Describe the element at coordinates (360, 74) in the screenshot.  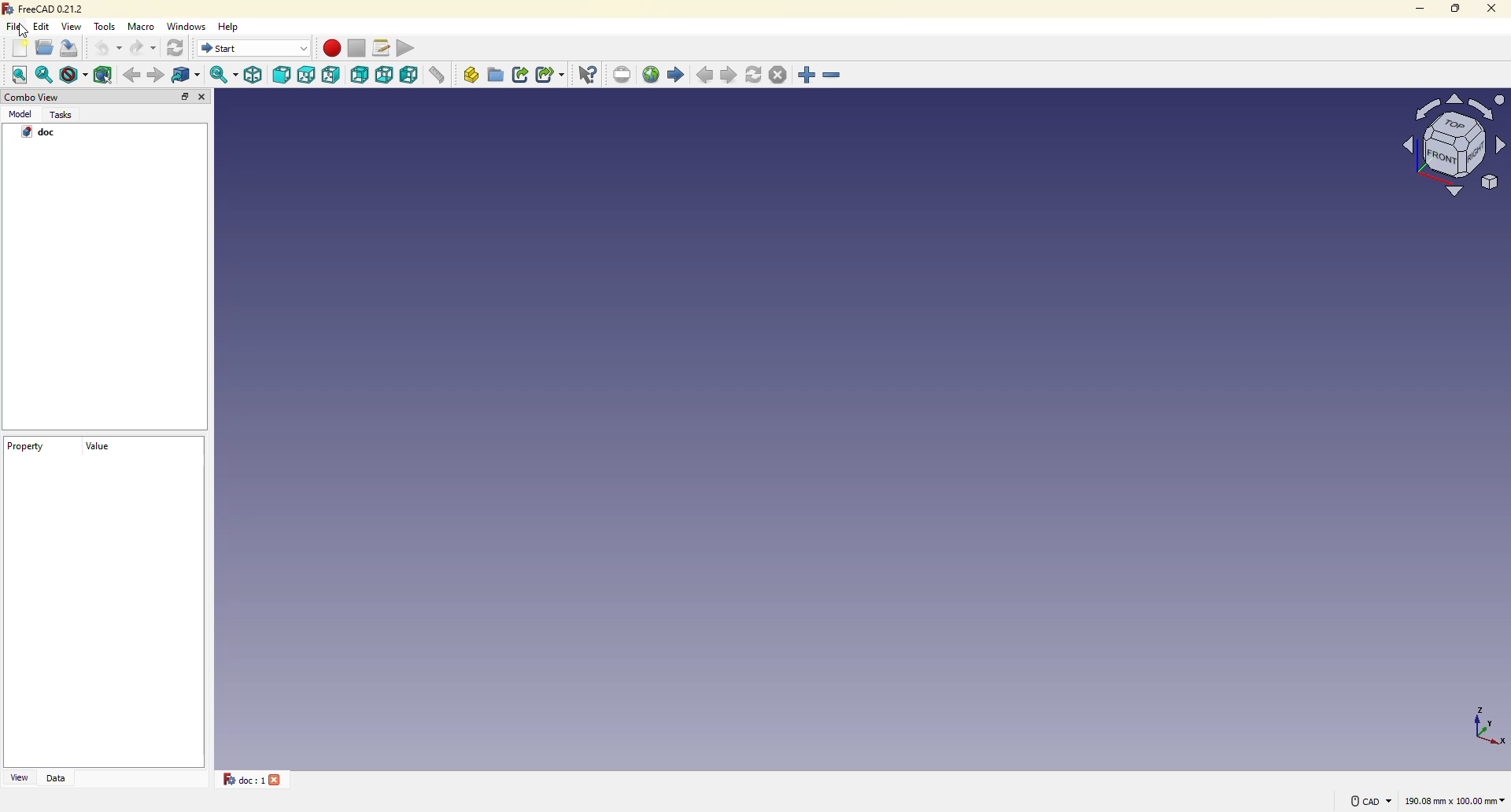
I see `rear` at that location.